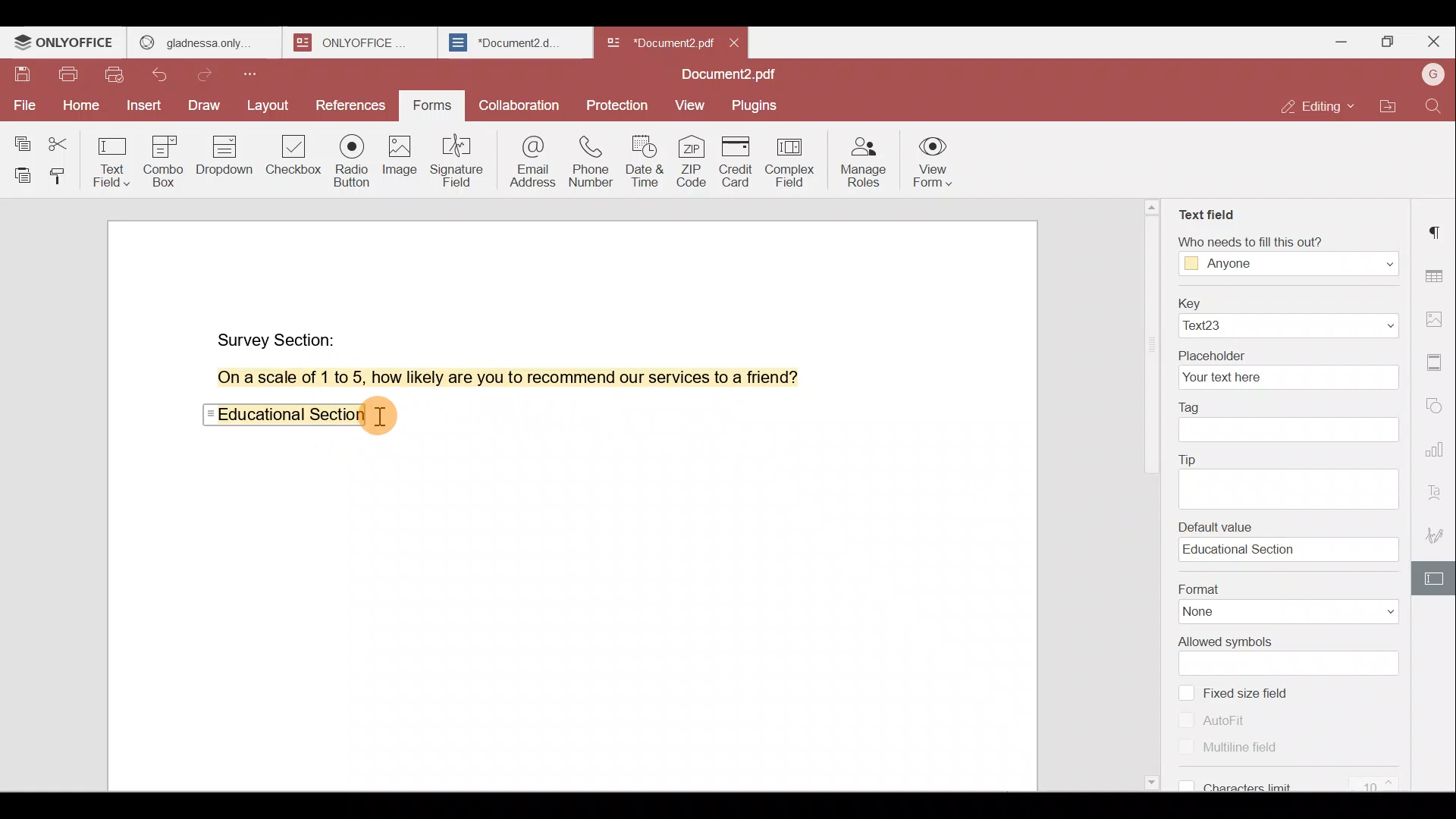 The height and width of the screenshot is (819, 1456). I want to click on Text Art settings, so click(1437, 488).